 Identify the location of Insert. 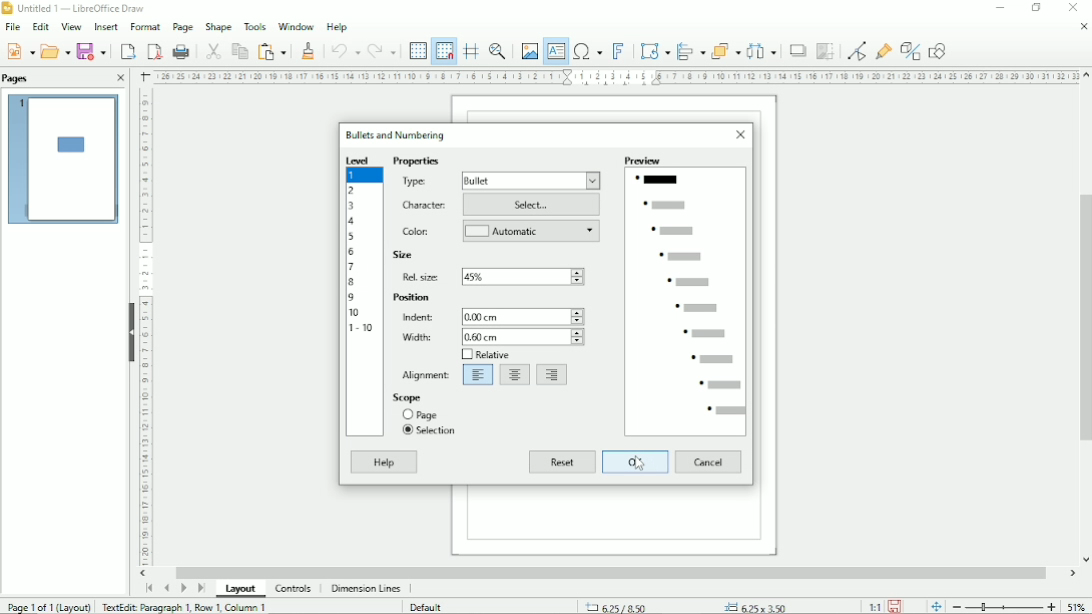
(106, 26).